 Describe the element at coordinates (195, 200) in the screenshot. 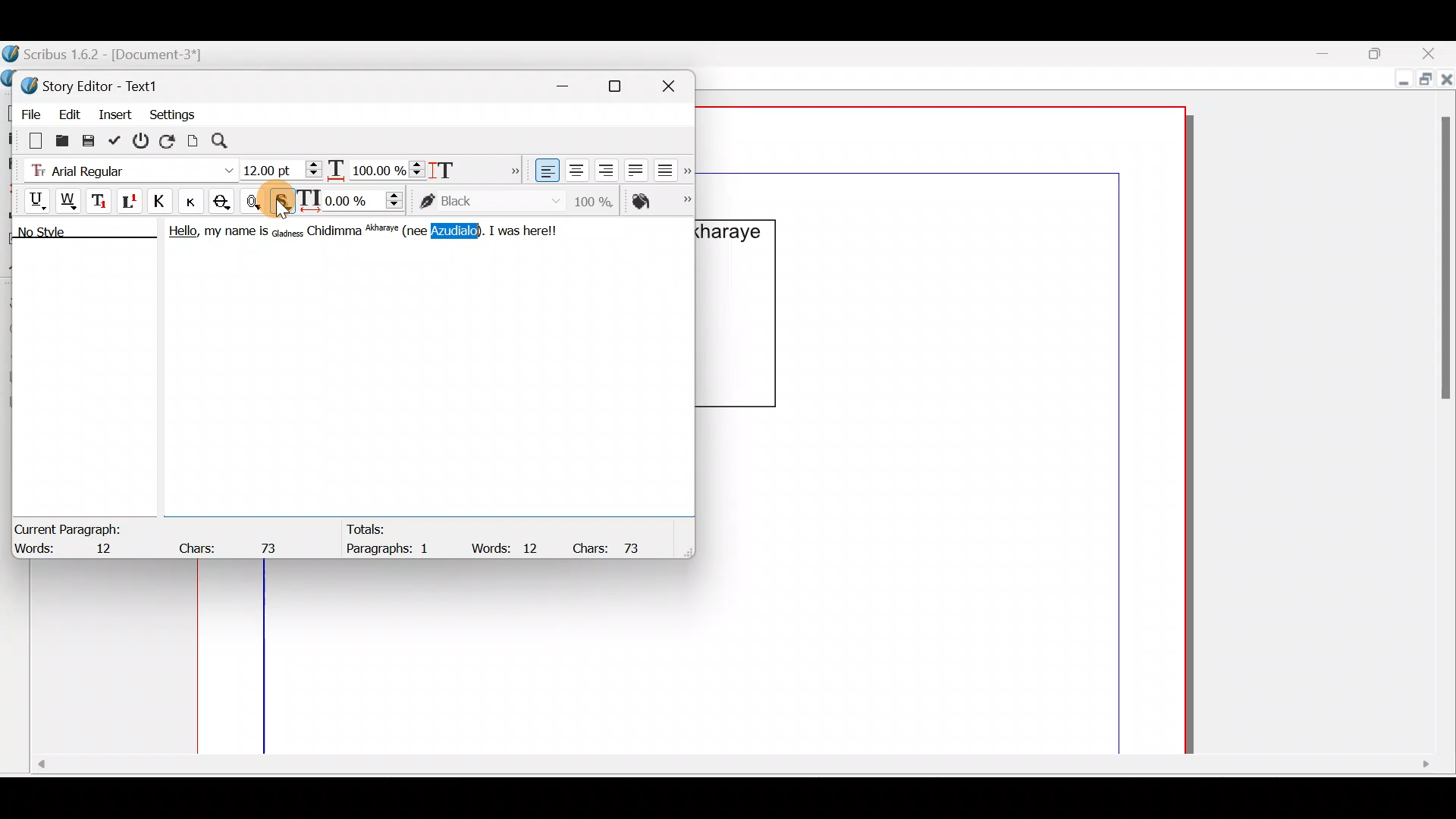

I see `Small caps` at that location.